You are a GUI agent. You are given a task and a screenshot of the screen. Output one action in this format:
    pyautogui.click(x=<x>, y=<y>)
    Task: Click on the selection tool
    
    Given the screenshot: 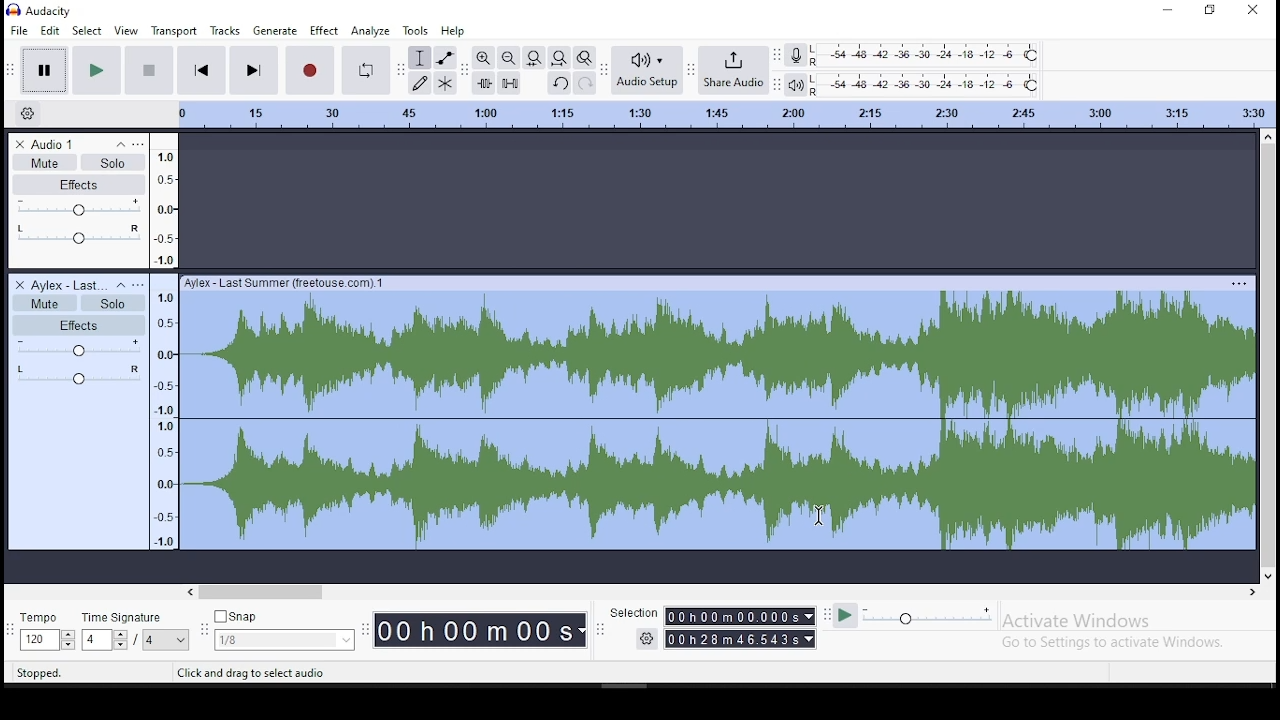 What is the action you would take?
    pyautogui.click(x=420, y=58)
    